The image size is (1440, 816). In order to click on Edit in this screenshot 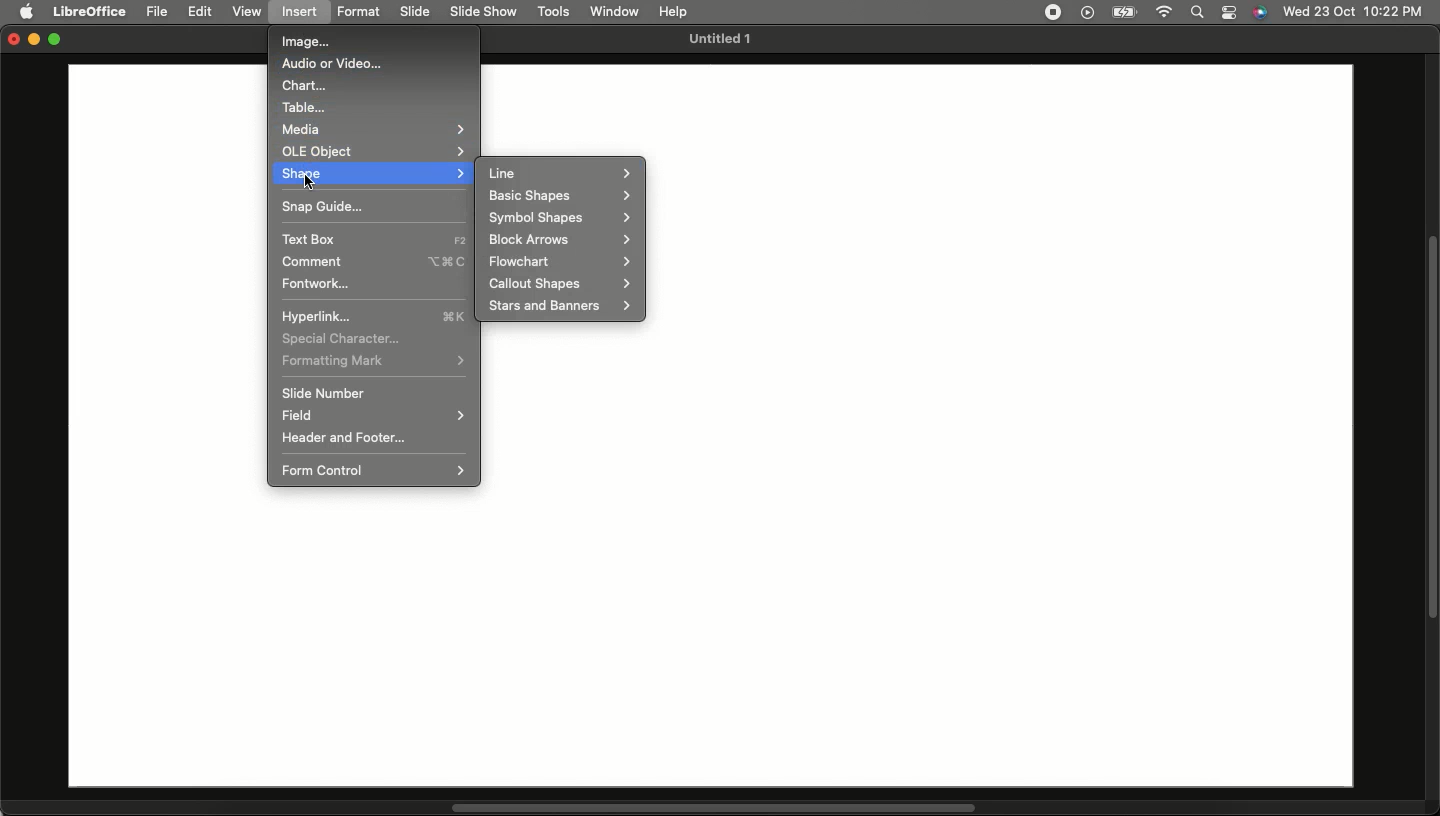, I will do `click(202, 12)`.